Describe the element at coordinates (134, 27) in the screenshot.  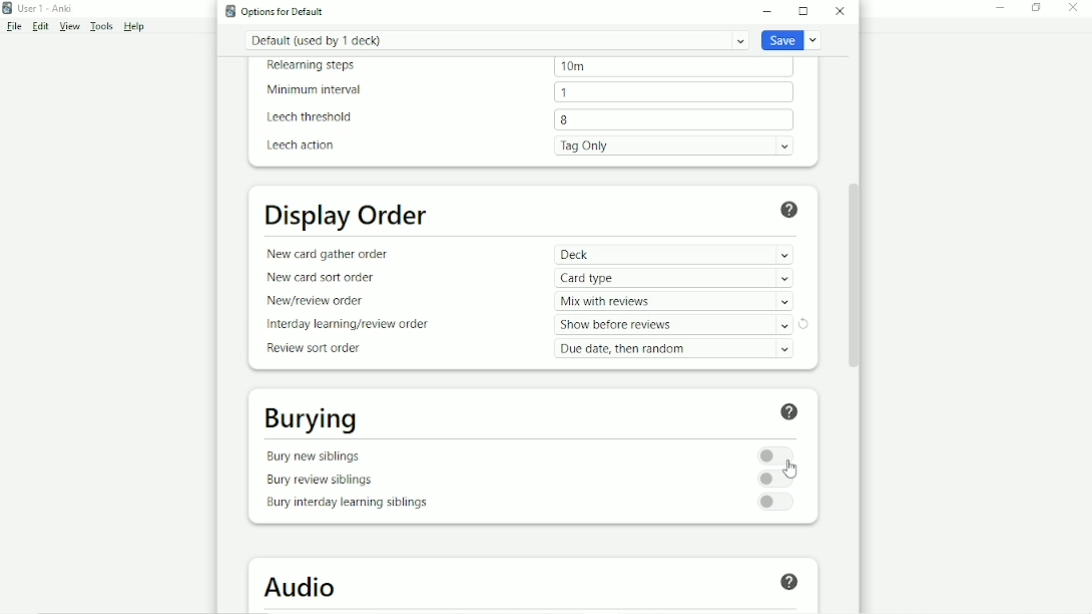
I see `Help` at that location.